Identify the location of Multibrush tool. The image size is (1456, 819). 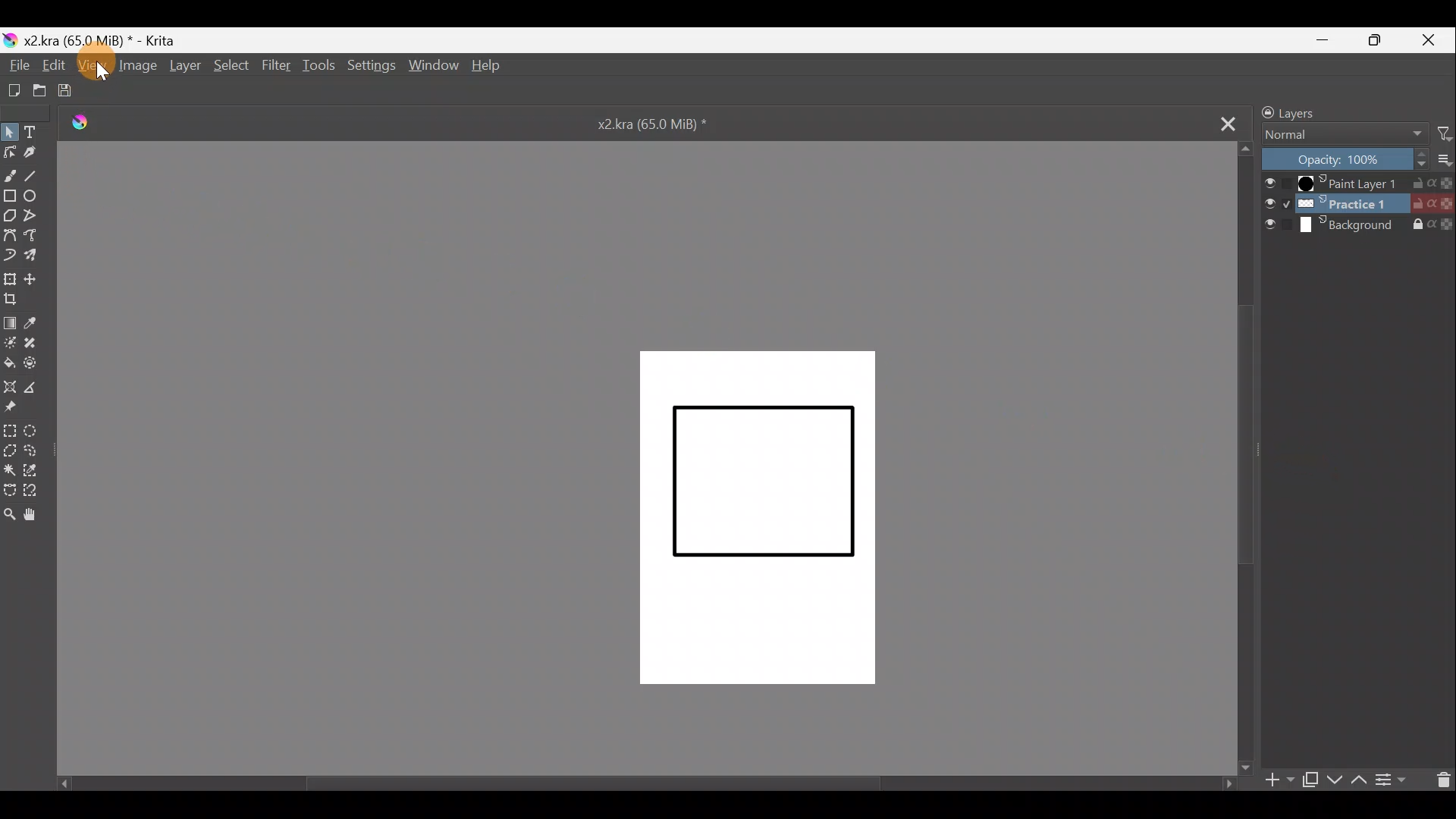
(38, 254).